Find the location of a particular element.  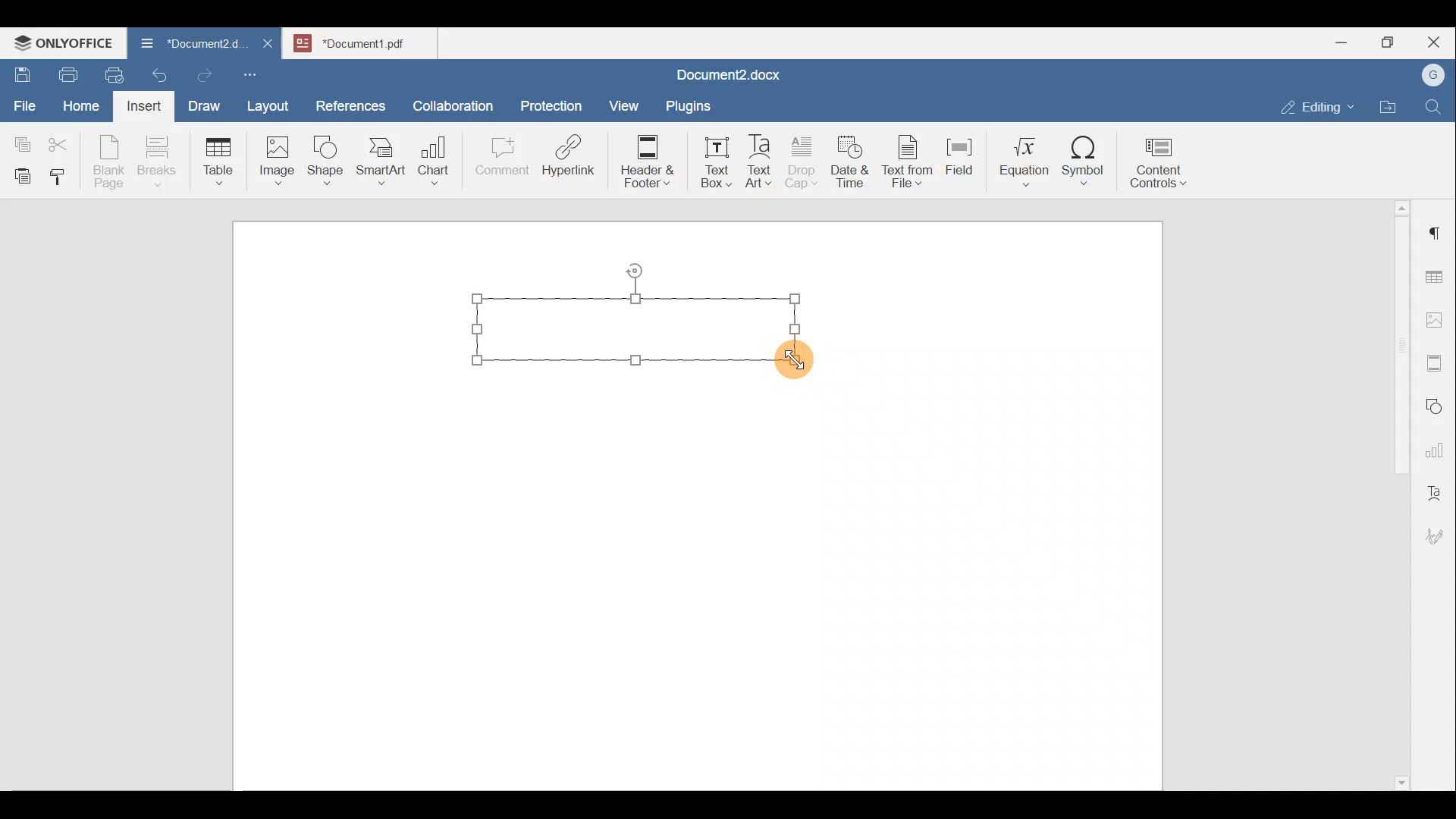

Header & footer is located at coordinates (642, 160).